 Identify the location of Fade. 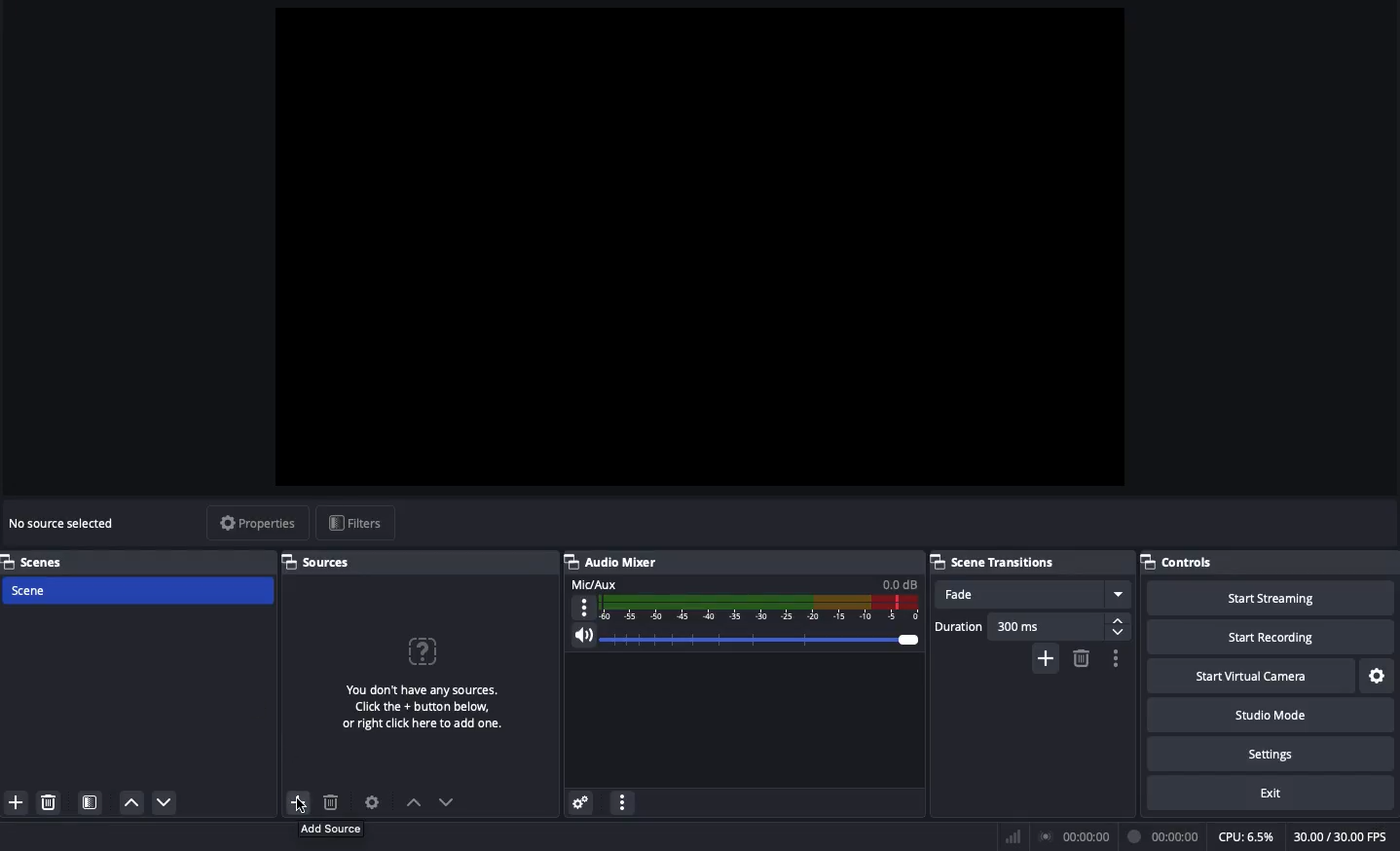
(1034, 593).